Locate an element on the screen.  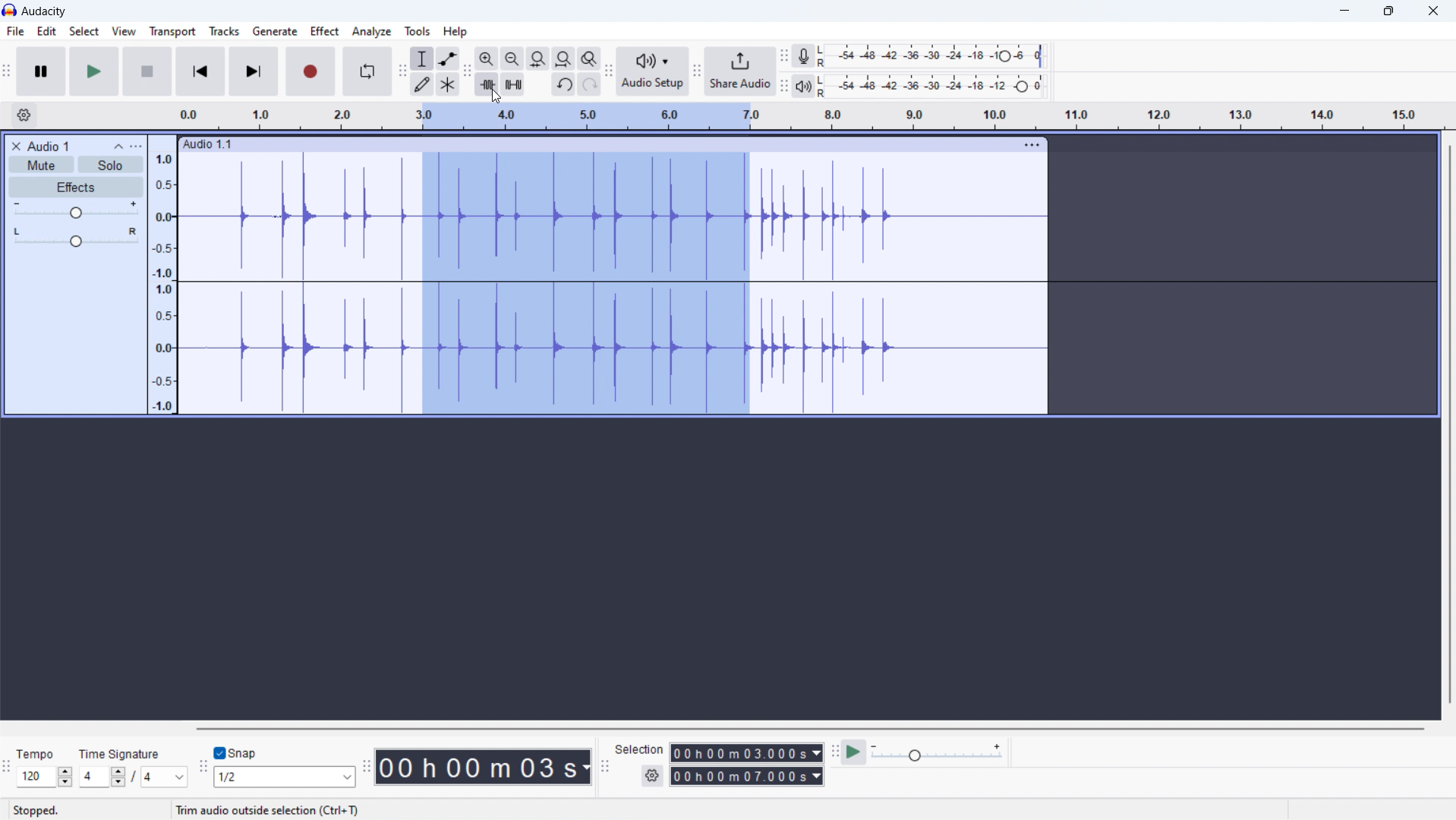
envelop tool is located at coordinates (449, 58).